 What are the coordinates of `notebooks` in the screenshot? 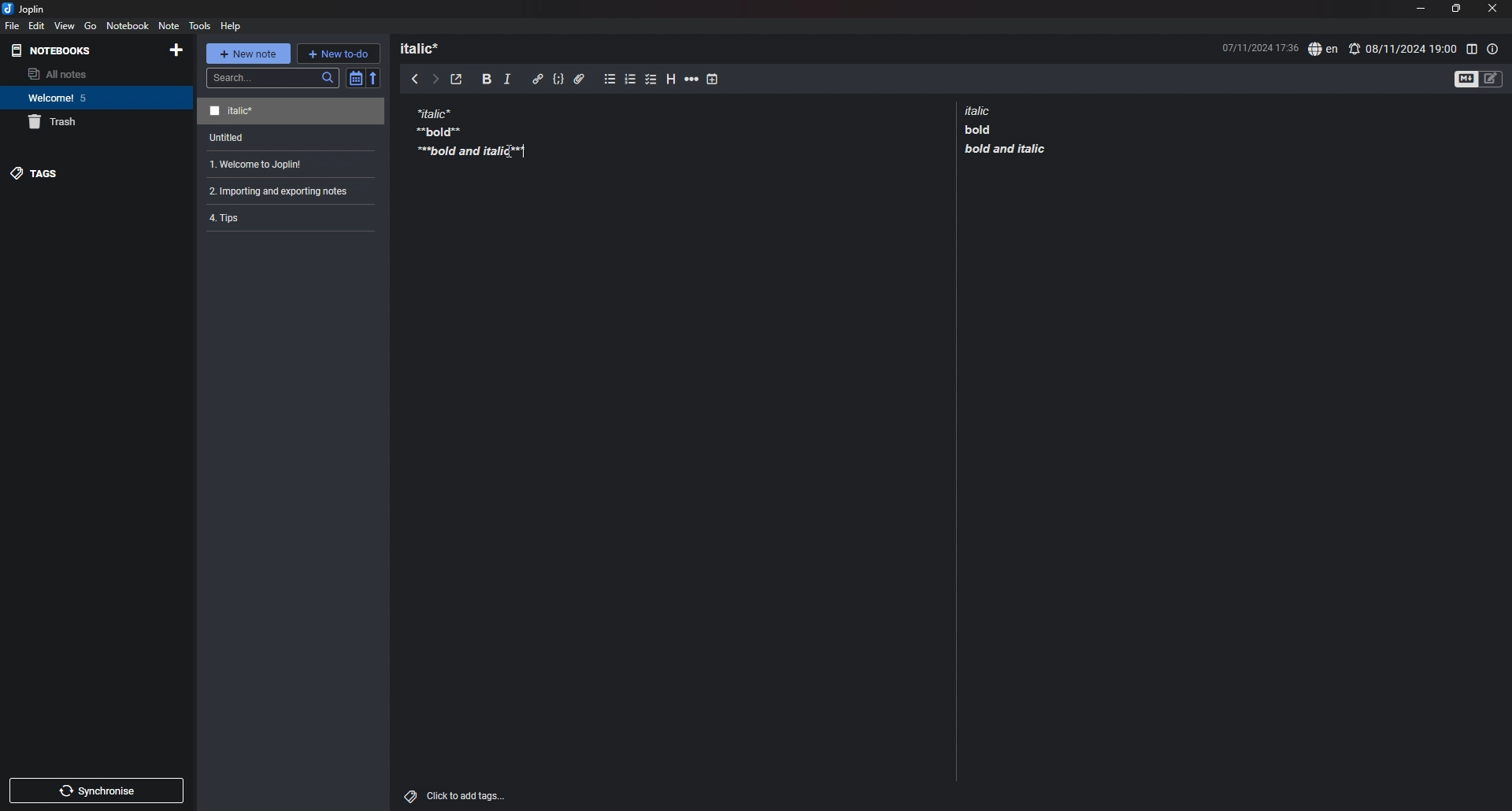 It's located at (55, 50).